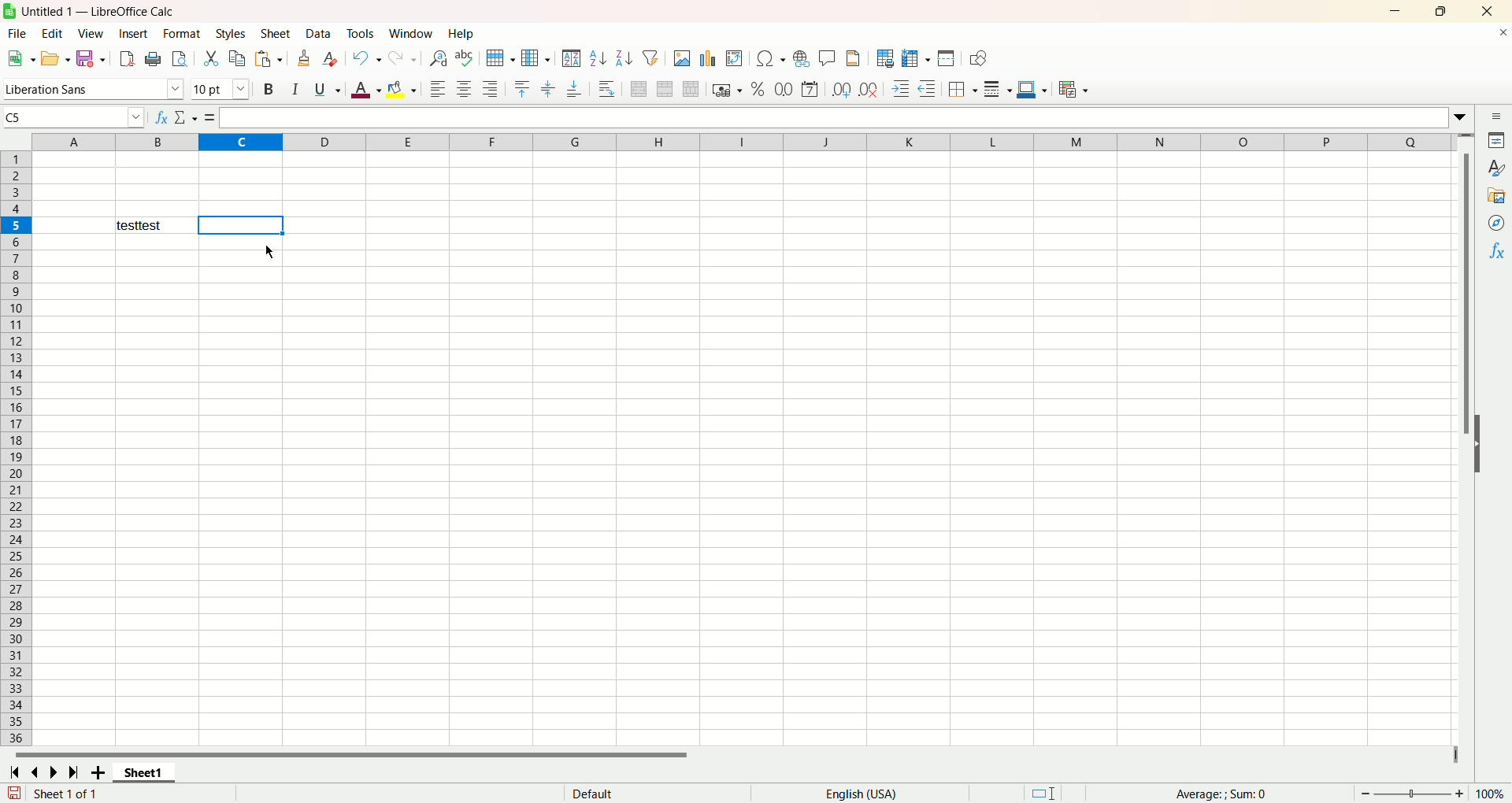  I want to click on print preview, so click(180, 57).